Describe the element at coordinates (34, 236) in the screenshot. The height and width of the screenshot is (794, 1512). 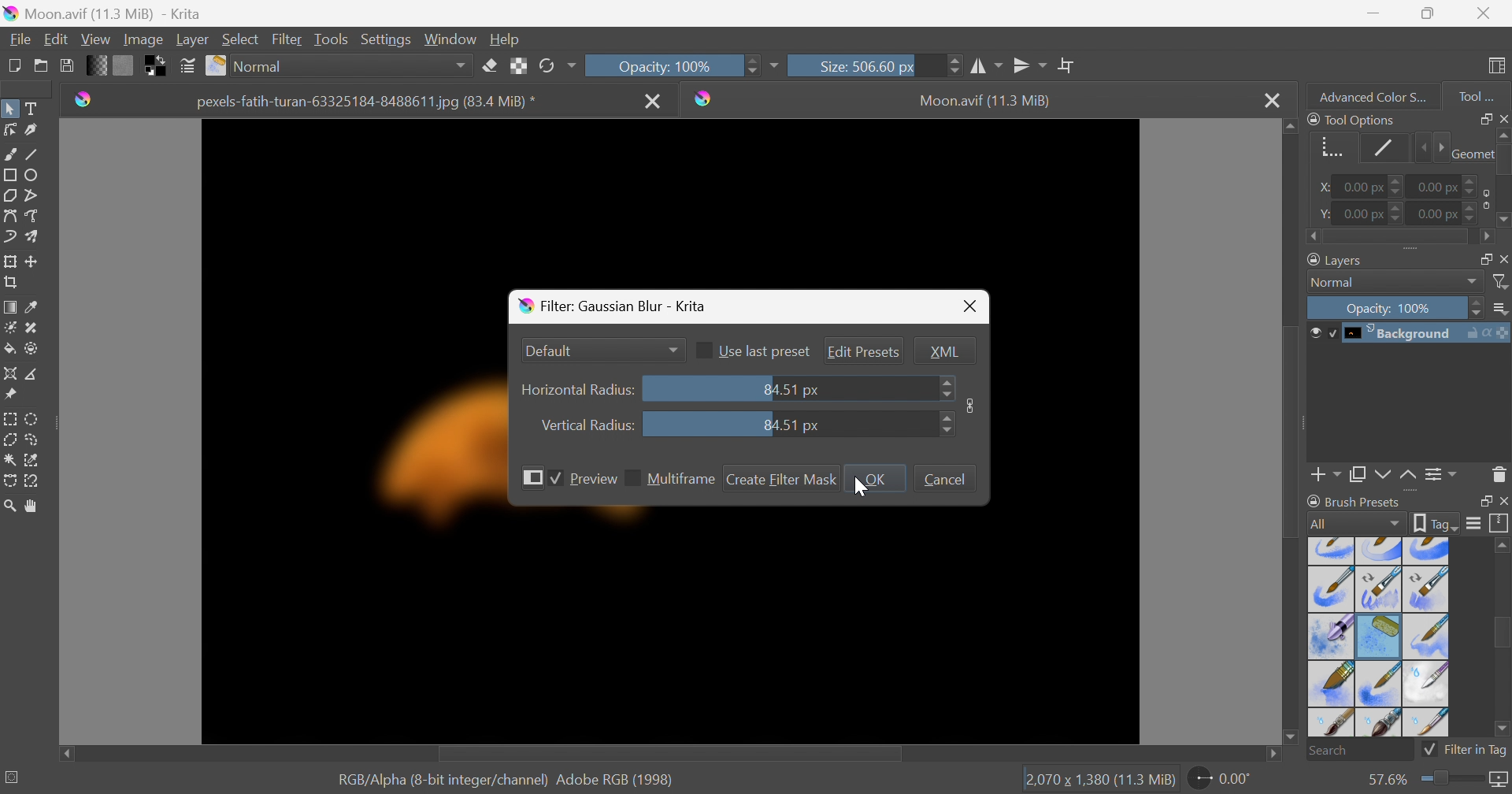
I see `Multibrush tool` at that location.